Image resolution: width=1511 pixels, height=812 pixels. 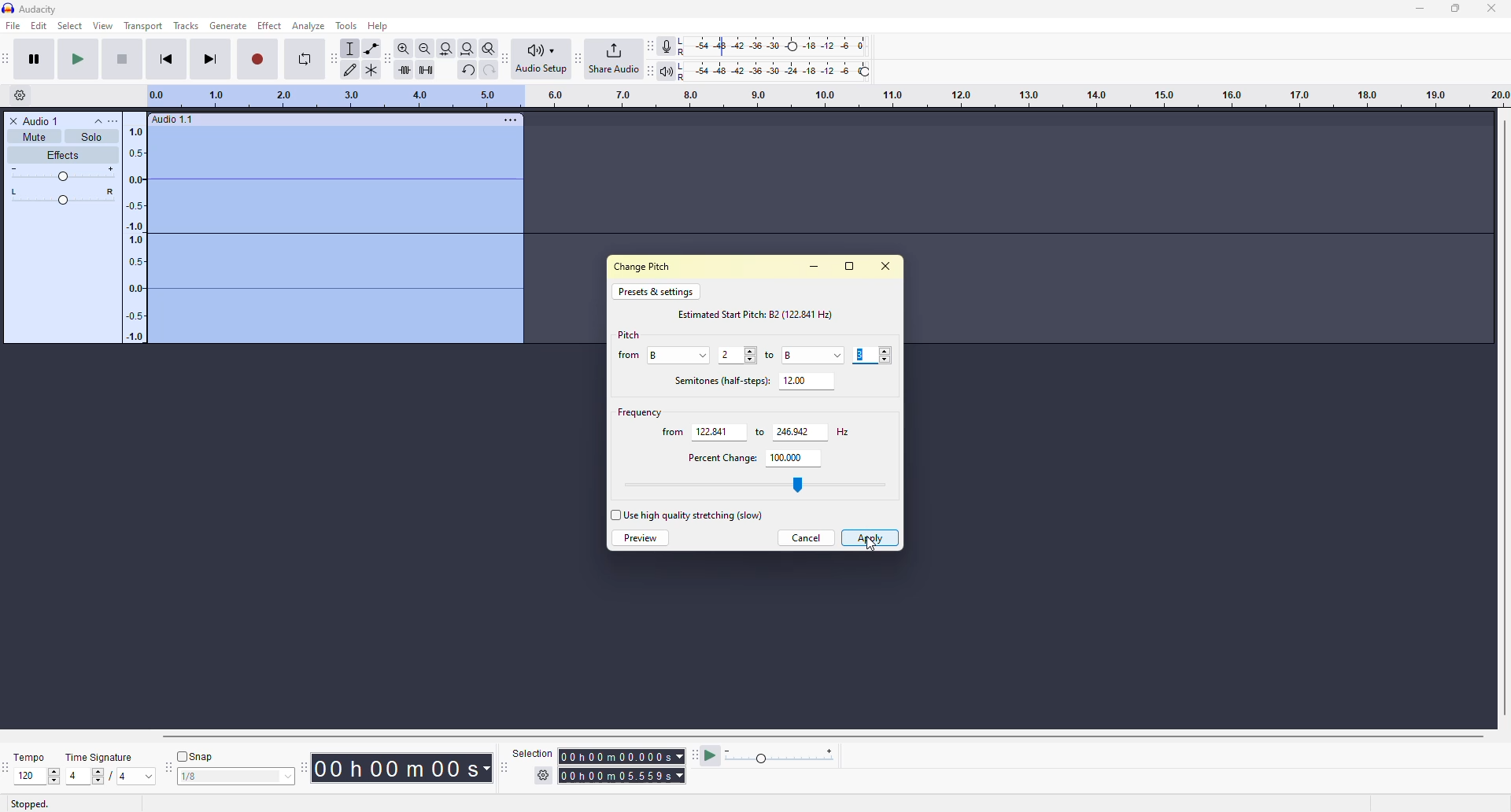 I want to click on use high quality stretching, so click(x=693, y=514).